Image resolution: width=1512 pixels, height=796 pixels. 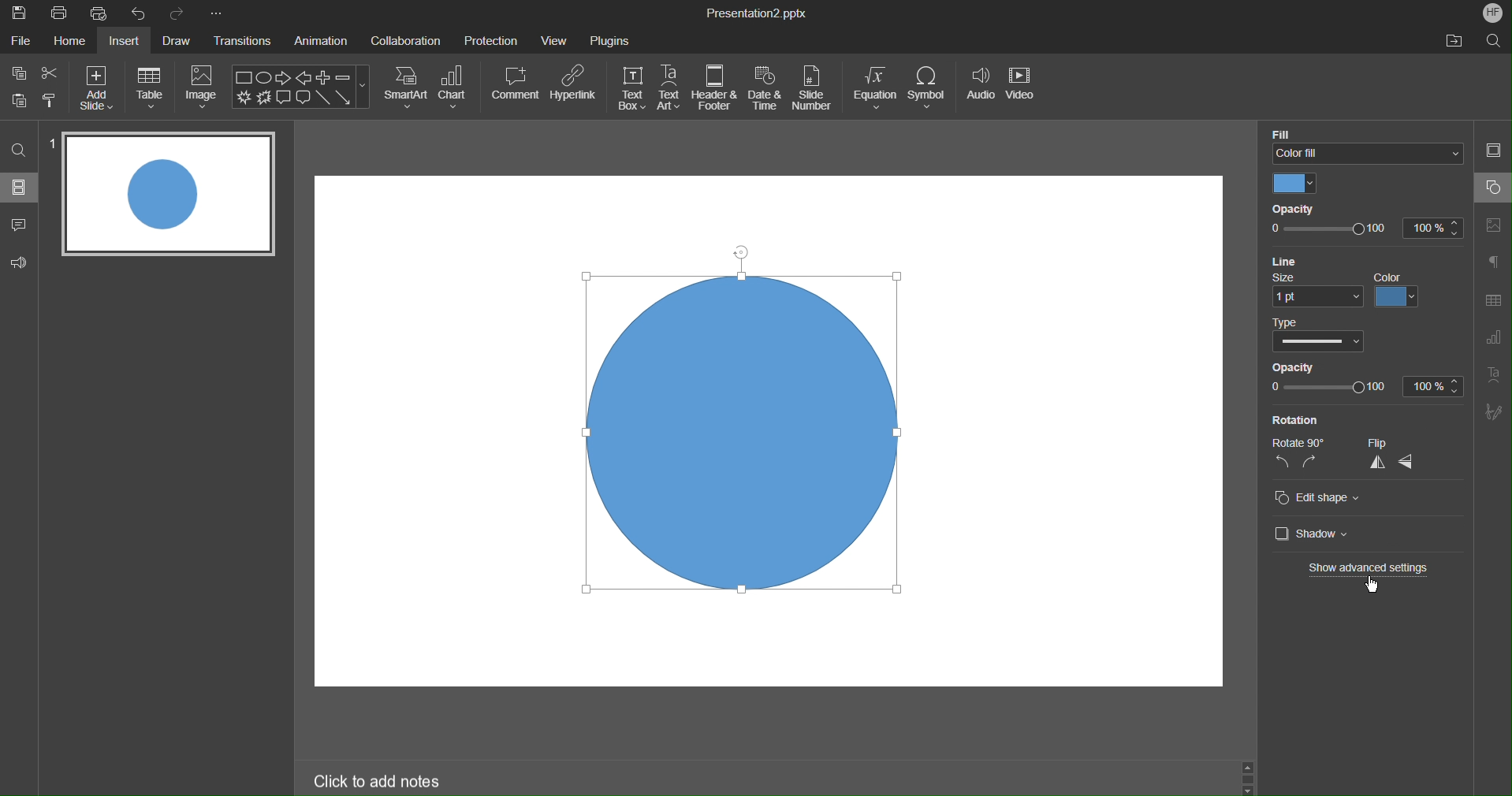 I want to click on Shadow, so click(x=1307, y=534).